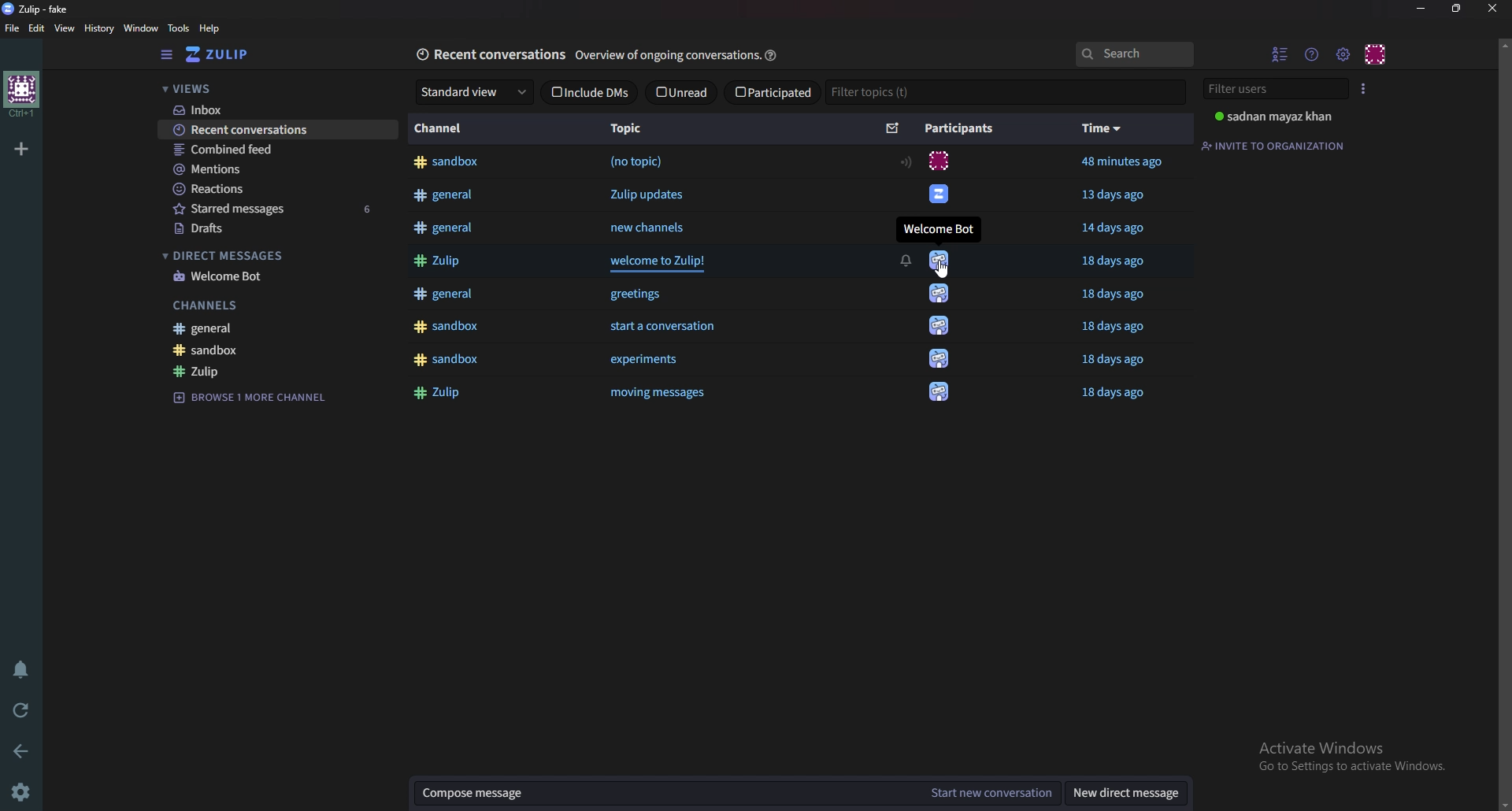 Image resolution: width=1512 pixels, height=811 pixels. Describe the element at coordinates (446, 227) in the screenshot. I see `# general` at that location.